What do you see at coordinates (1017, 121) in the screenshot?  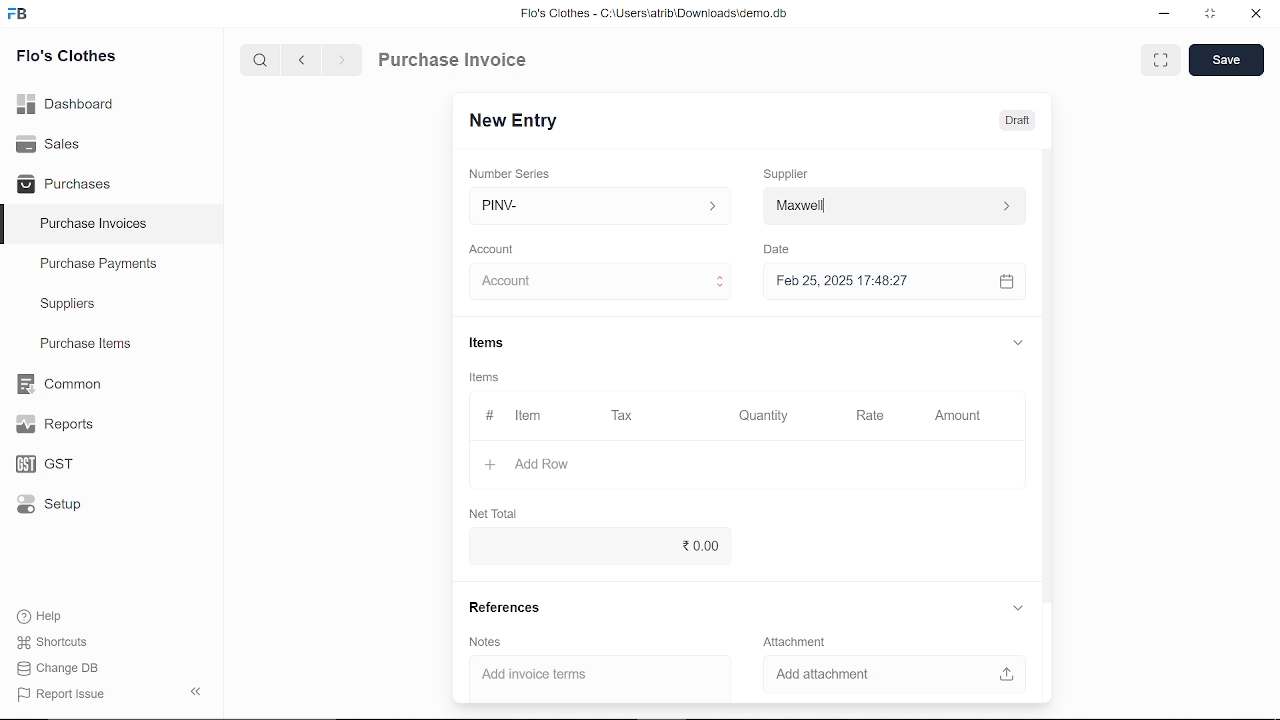 I see `Draft` at bounding box center [1017, 121].